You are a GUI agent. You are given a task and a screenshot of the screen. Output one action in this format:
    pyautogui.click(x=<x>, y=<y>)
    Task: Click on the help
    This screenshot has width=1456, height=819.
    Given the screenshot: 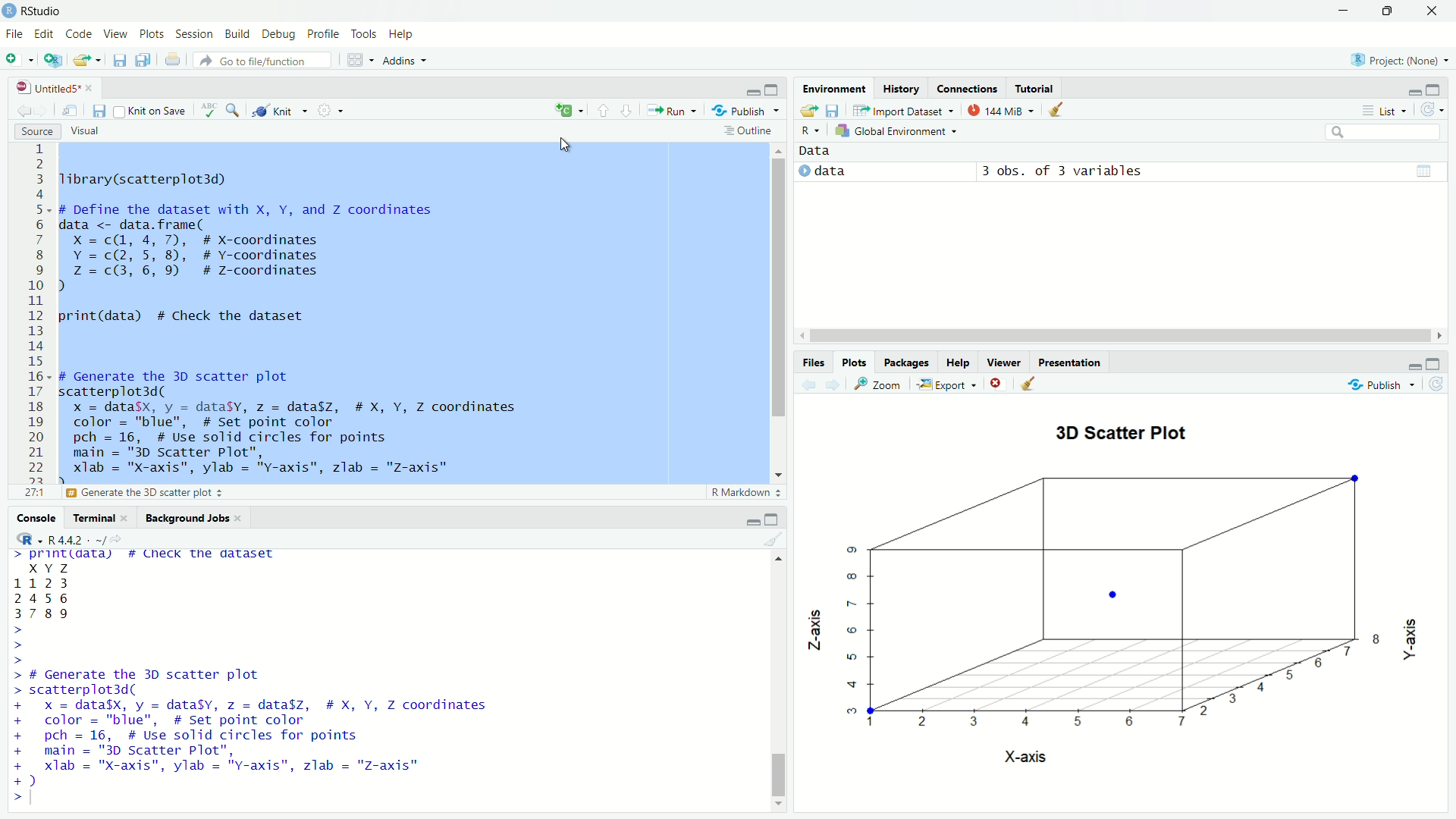 What is the action you would take?
    pyautogui.click(x=404, y=35)
    